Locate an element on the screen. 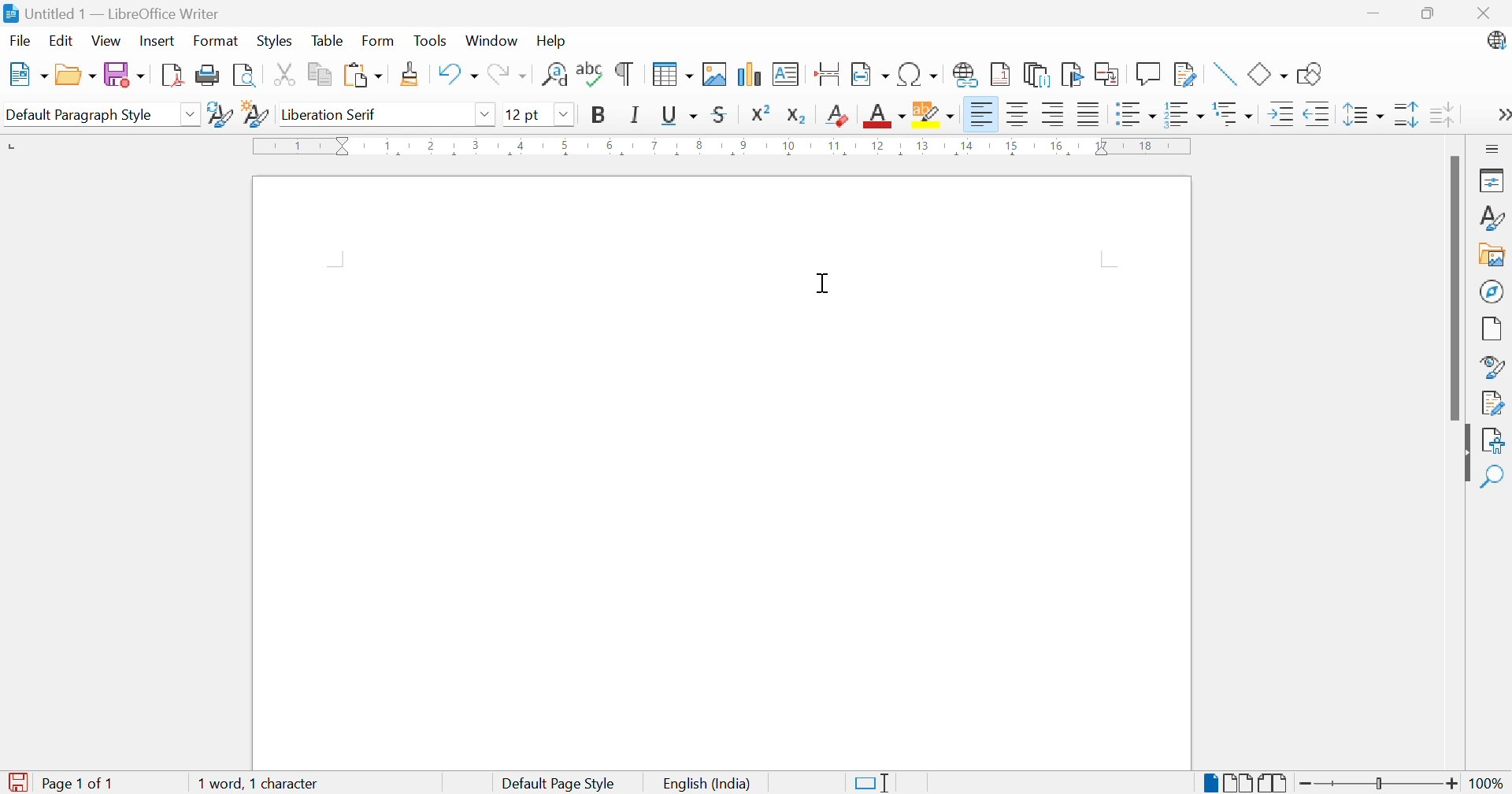 Image resolution: width=1512 pixels, height=794 pixels. Insert Endnote is located at coordinates (1034, 76).